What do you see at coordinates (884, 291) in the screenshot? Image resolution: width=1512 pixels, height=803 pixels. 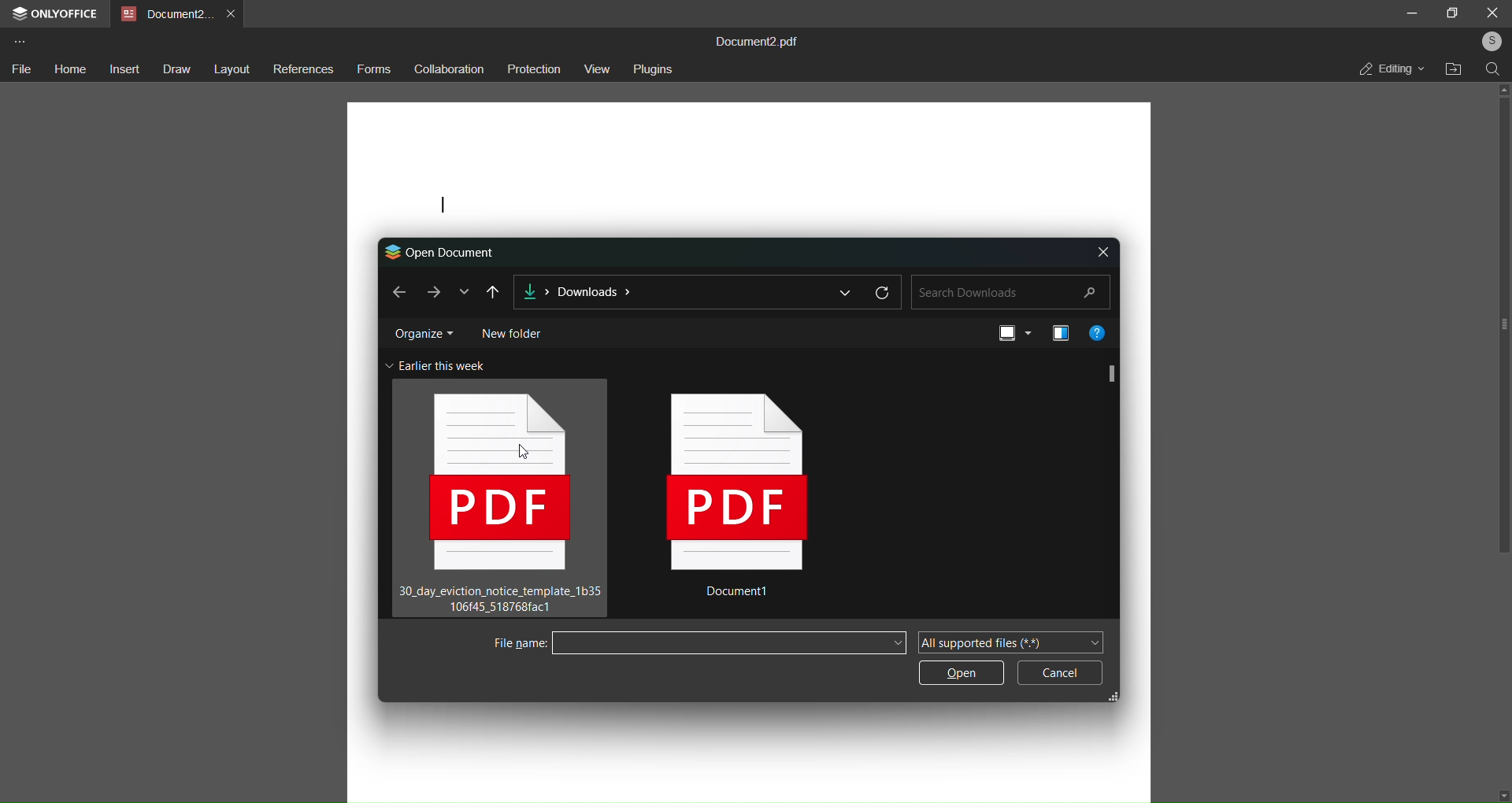 I see `refresh` at bounding box center [884, 291].